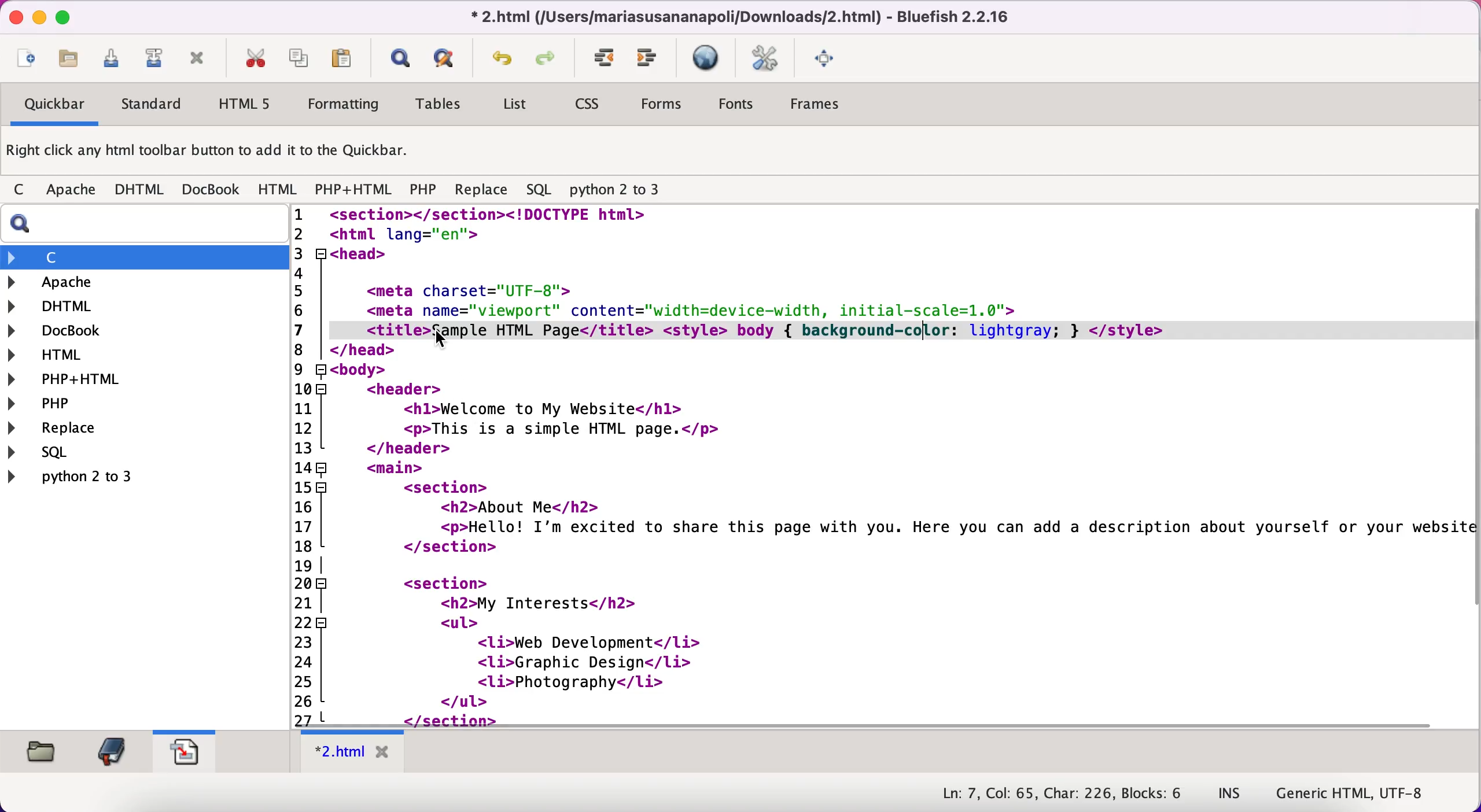 The height and width of the screenshot is (812, 1481). I want to click on unindent, so click(648, 58).